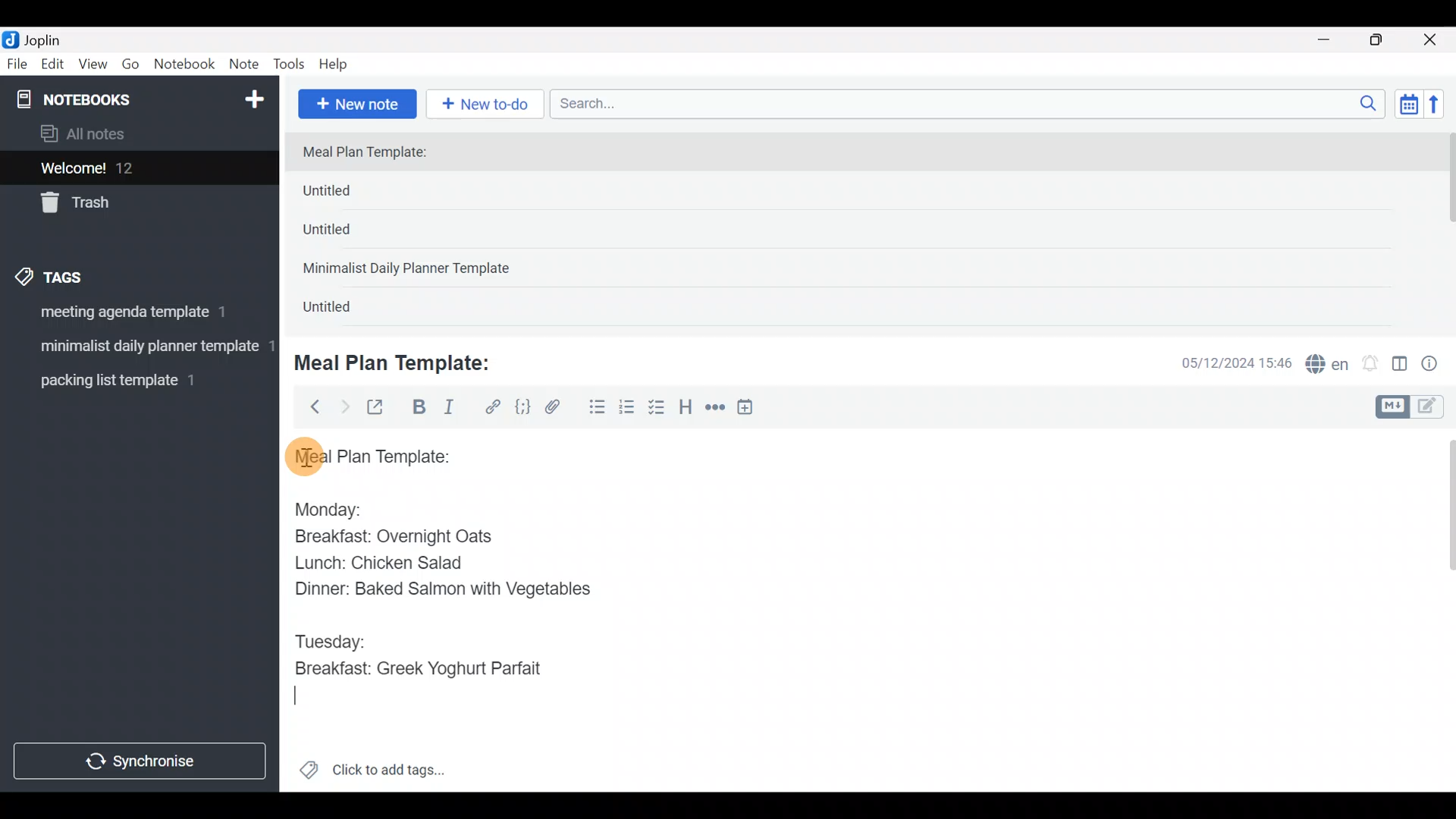 Image resolution: width=1456 pixels, height=819 pixels. I want to click on Meal Plan Template:, so click(374, 153).